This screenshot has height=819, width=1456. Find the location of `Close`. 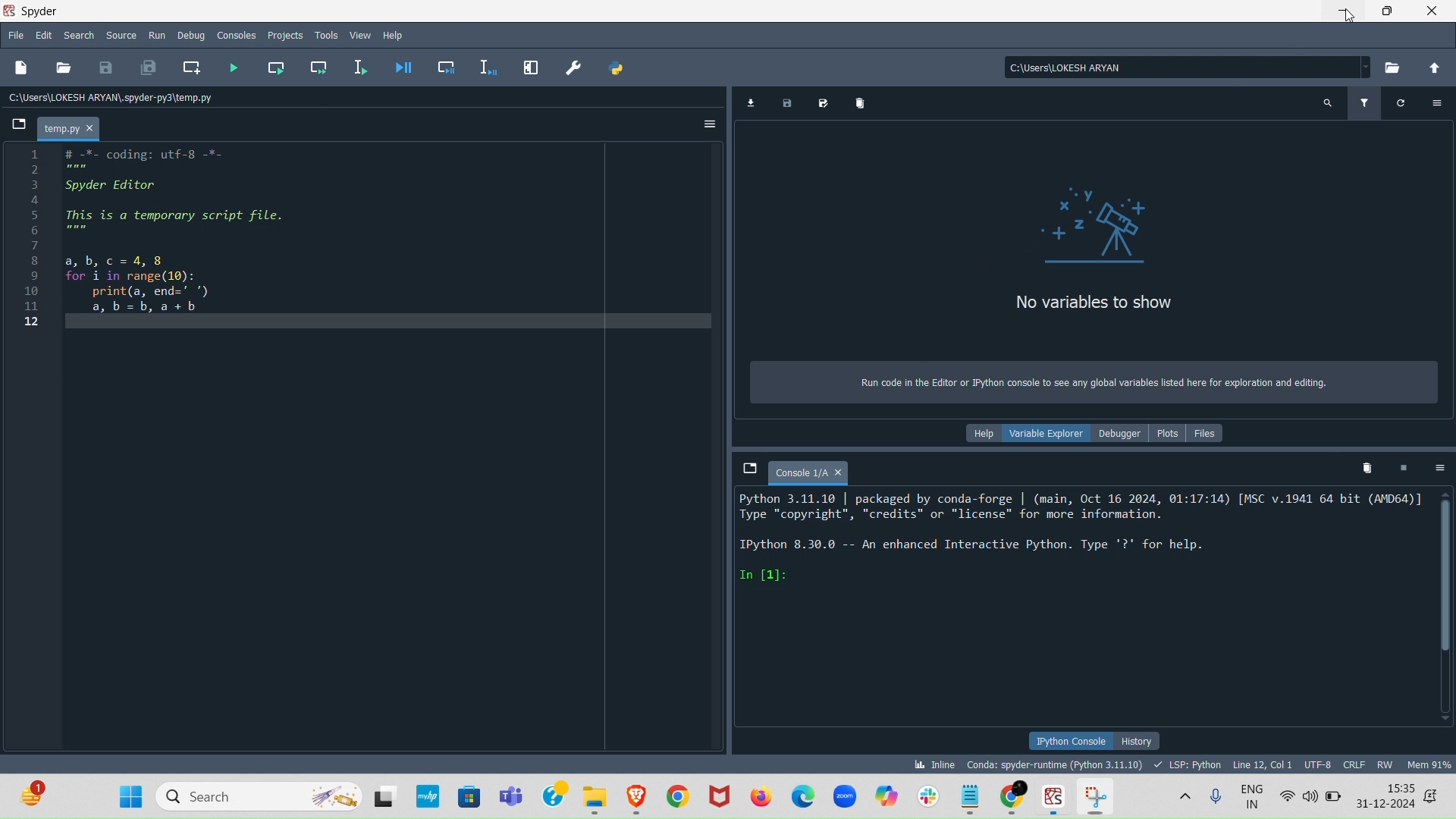

Close is located at coordinates (1433, 11).